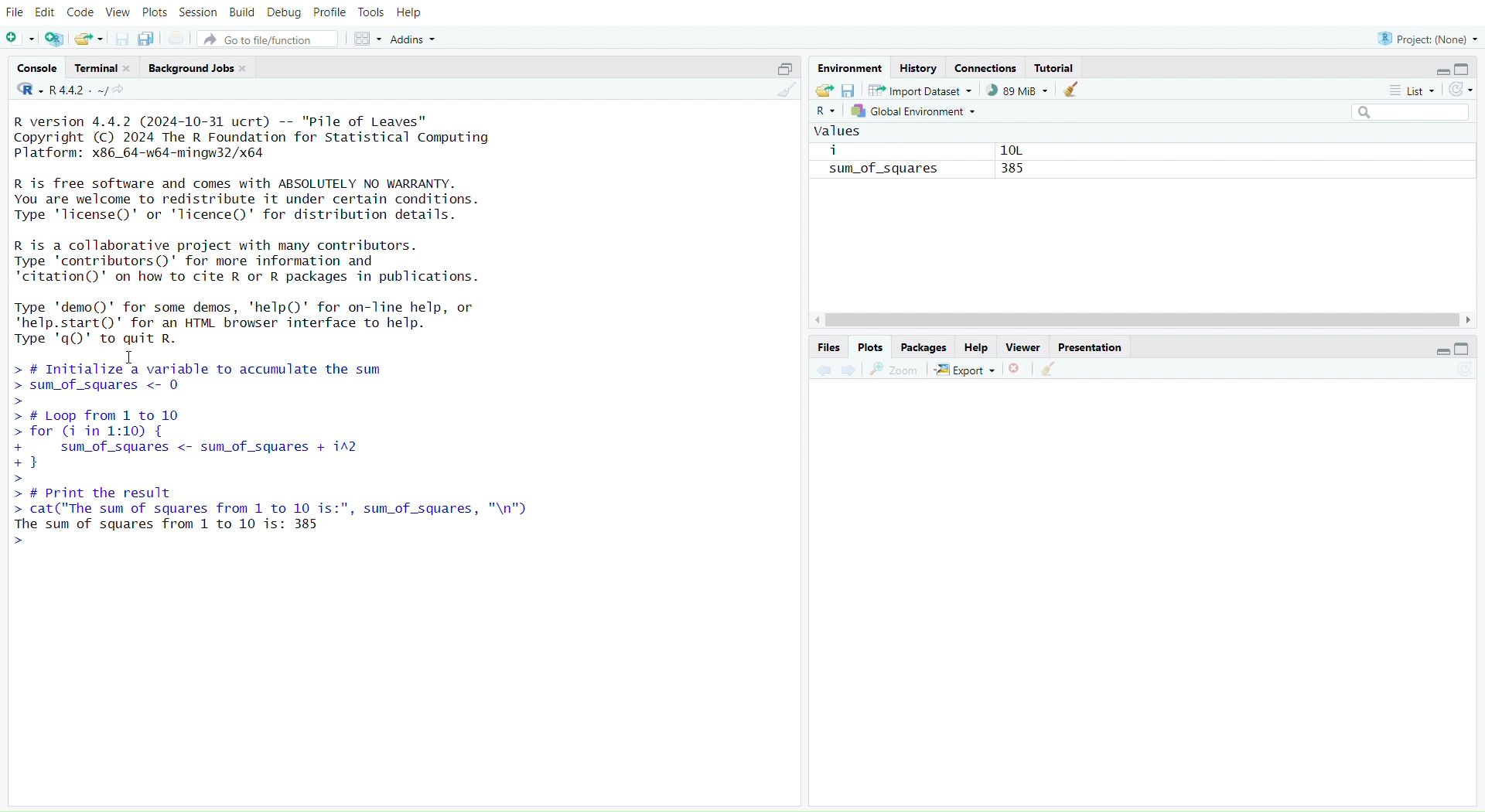 This screenshot has width=1485, height=812. What do you see at coordinates (173, 525) in the screenshot?
I see `The sum of squares from 1 to 10 is: 385` at bounding box center [173, 525].